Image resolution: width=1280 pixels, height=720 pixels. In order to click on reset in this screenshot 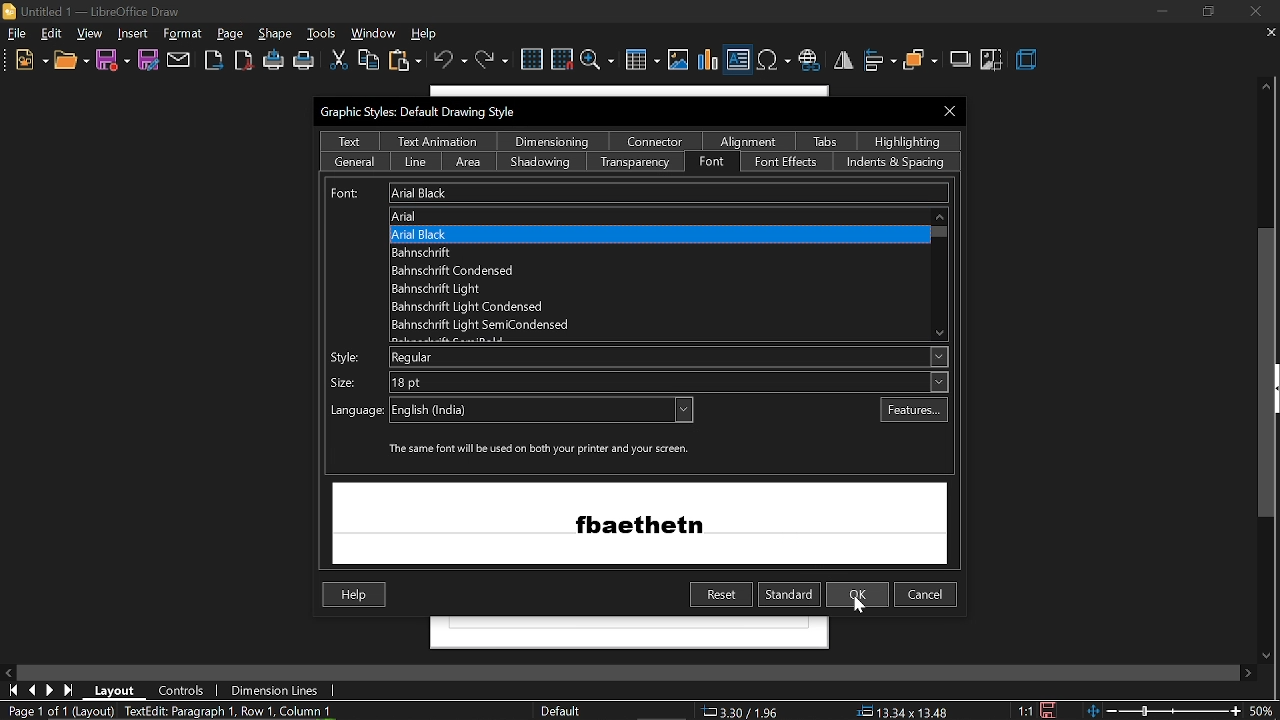, I will do `click(721, 595)`.